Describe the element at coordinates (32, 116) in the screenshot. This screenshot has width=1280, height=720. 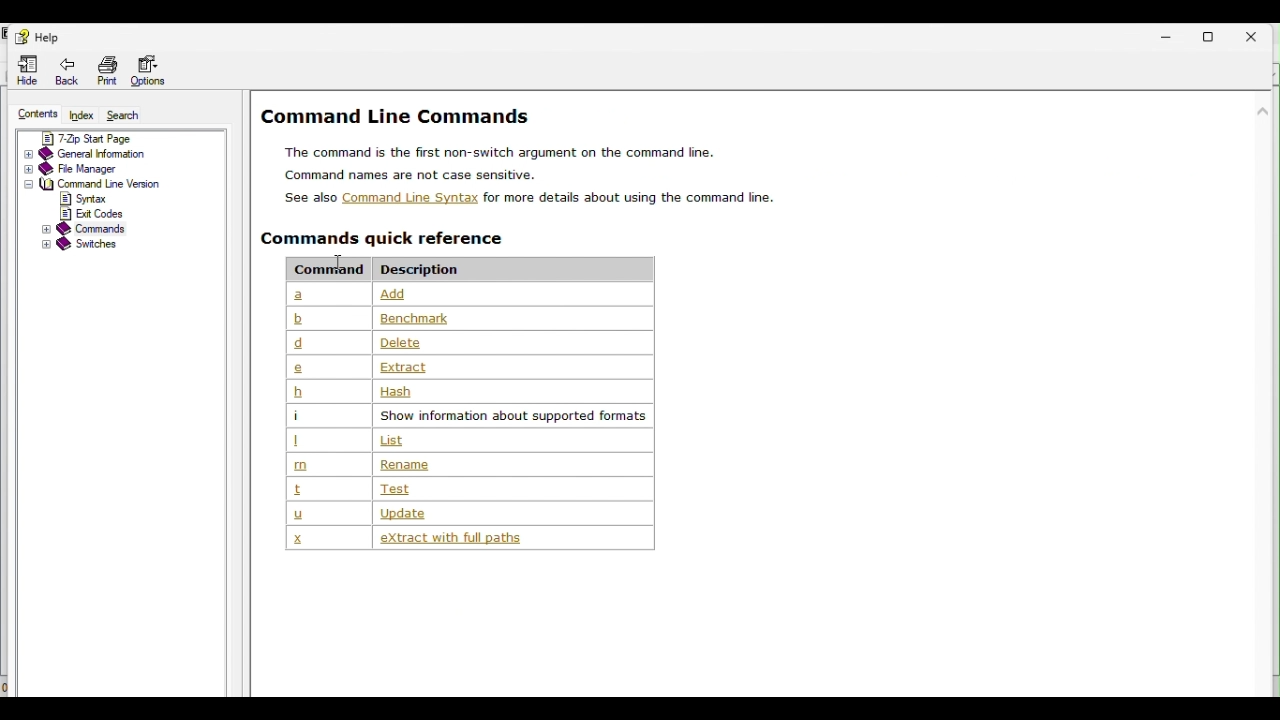
I see `Contents` at that location.